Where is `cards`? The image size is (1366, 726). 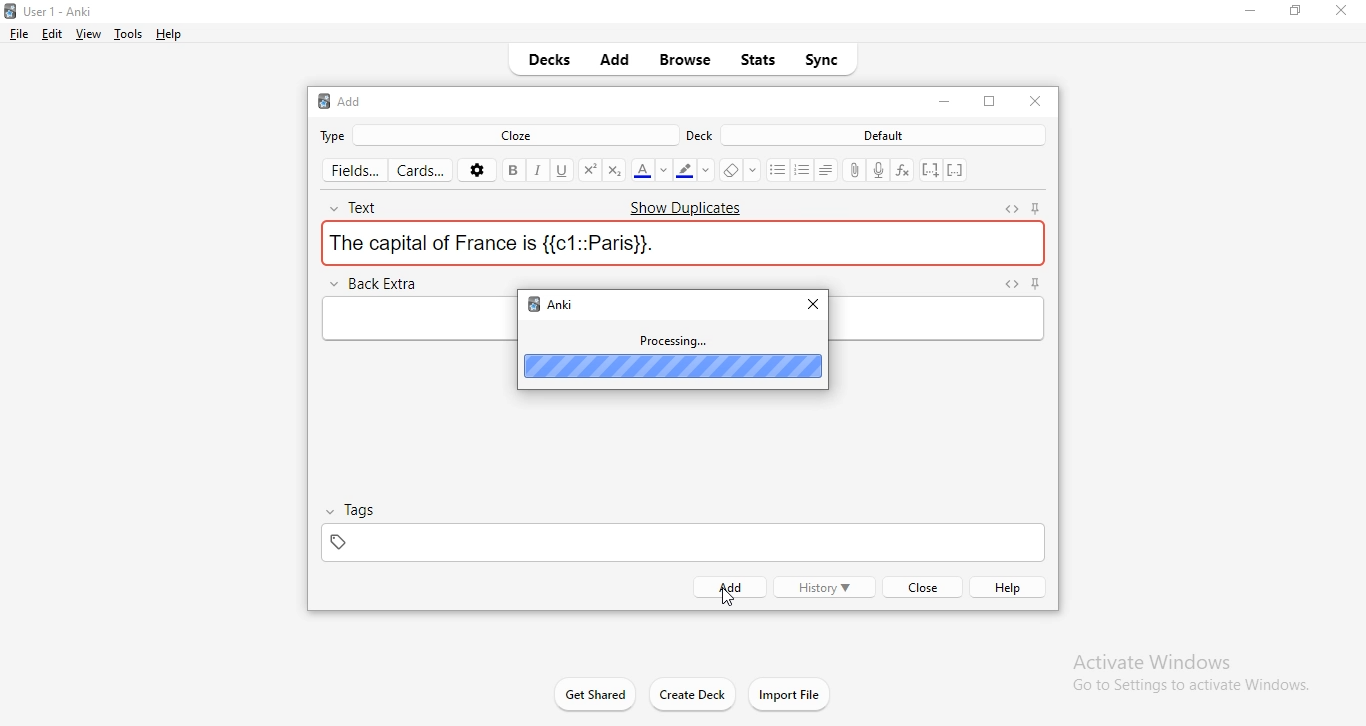
cards is located at coordinates (424, 171).